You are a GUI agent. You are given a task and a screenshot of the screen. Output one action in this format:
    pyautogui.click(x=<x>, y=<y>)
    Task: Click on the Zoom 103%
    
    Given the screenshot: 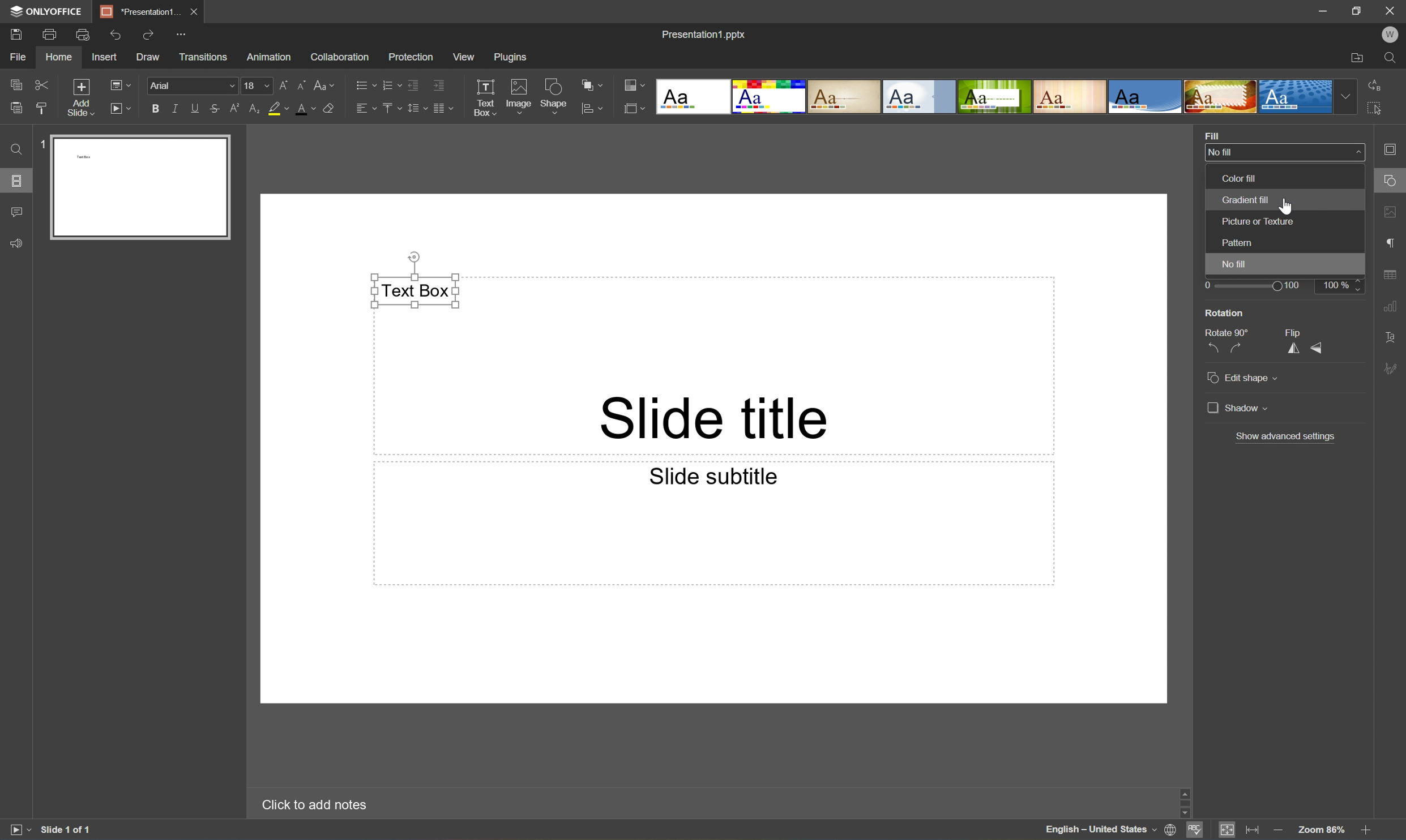 What is the action you would take?
    pyautogui.click(x=1321, y=830)
    